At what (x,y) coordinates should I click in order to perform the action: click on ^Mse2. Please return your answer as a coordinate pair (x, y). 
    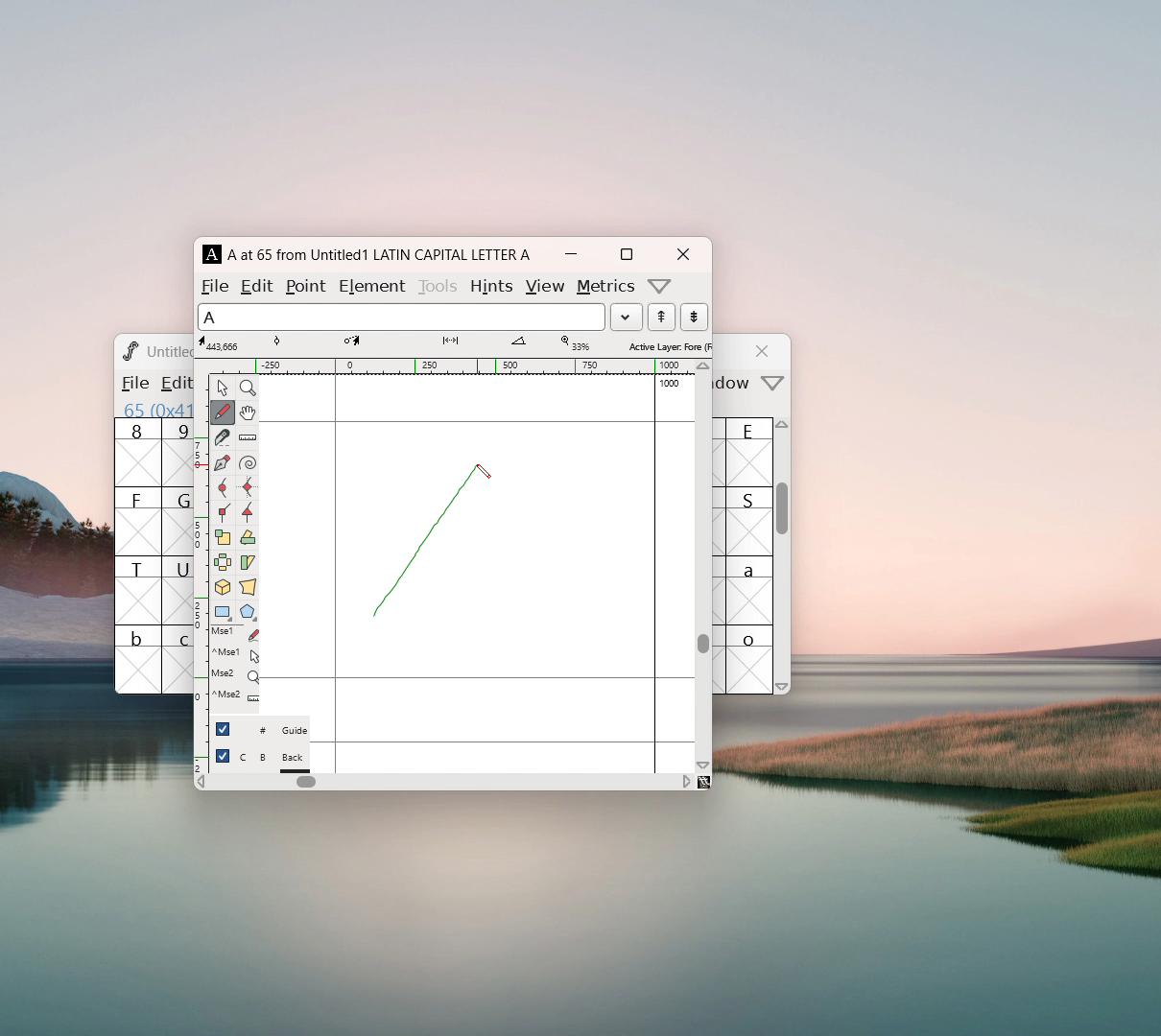
    Looking at the image, I should click on (236, 653).